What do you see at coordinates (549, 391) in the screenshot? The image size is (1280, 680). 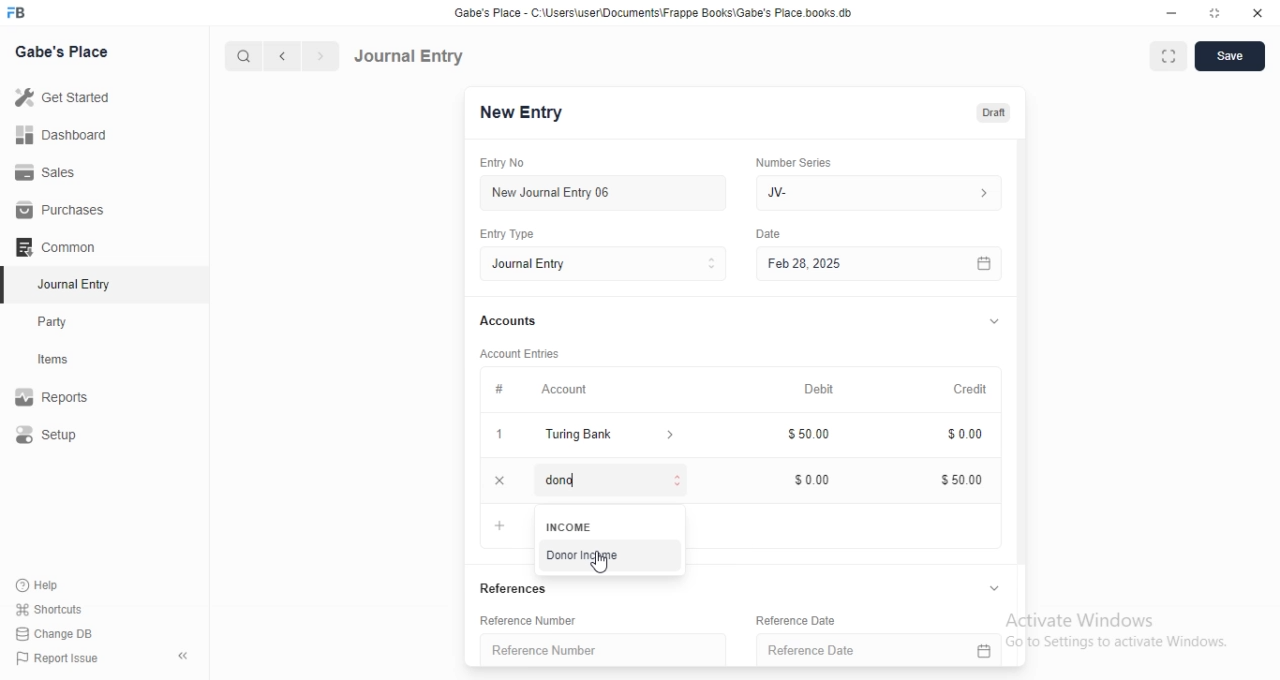 I see `Account` at bounding box center [549, 391].